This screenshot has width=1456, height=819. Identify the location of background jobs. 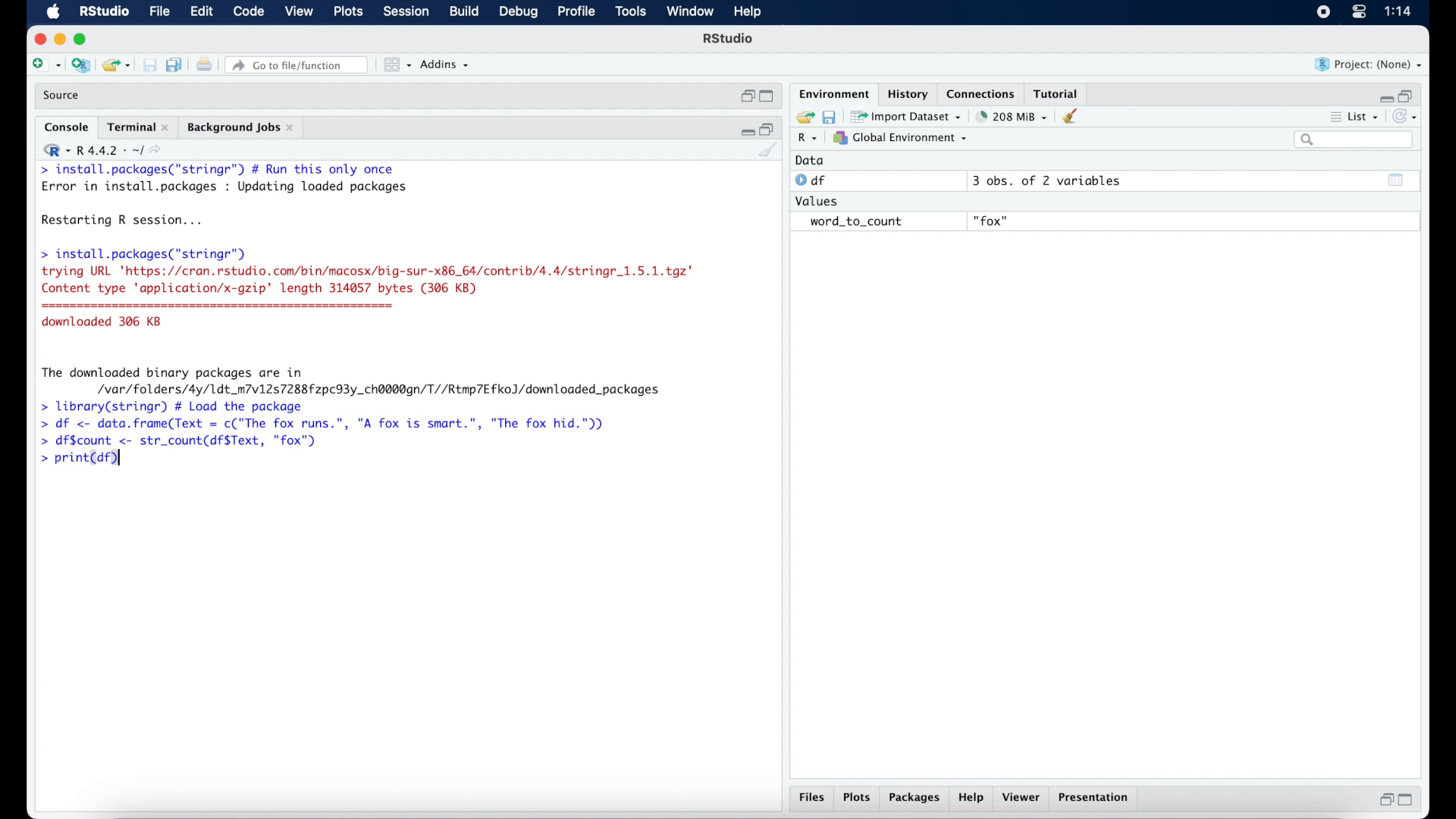
(242, 129).